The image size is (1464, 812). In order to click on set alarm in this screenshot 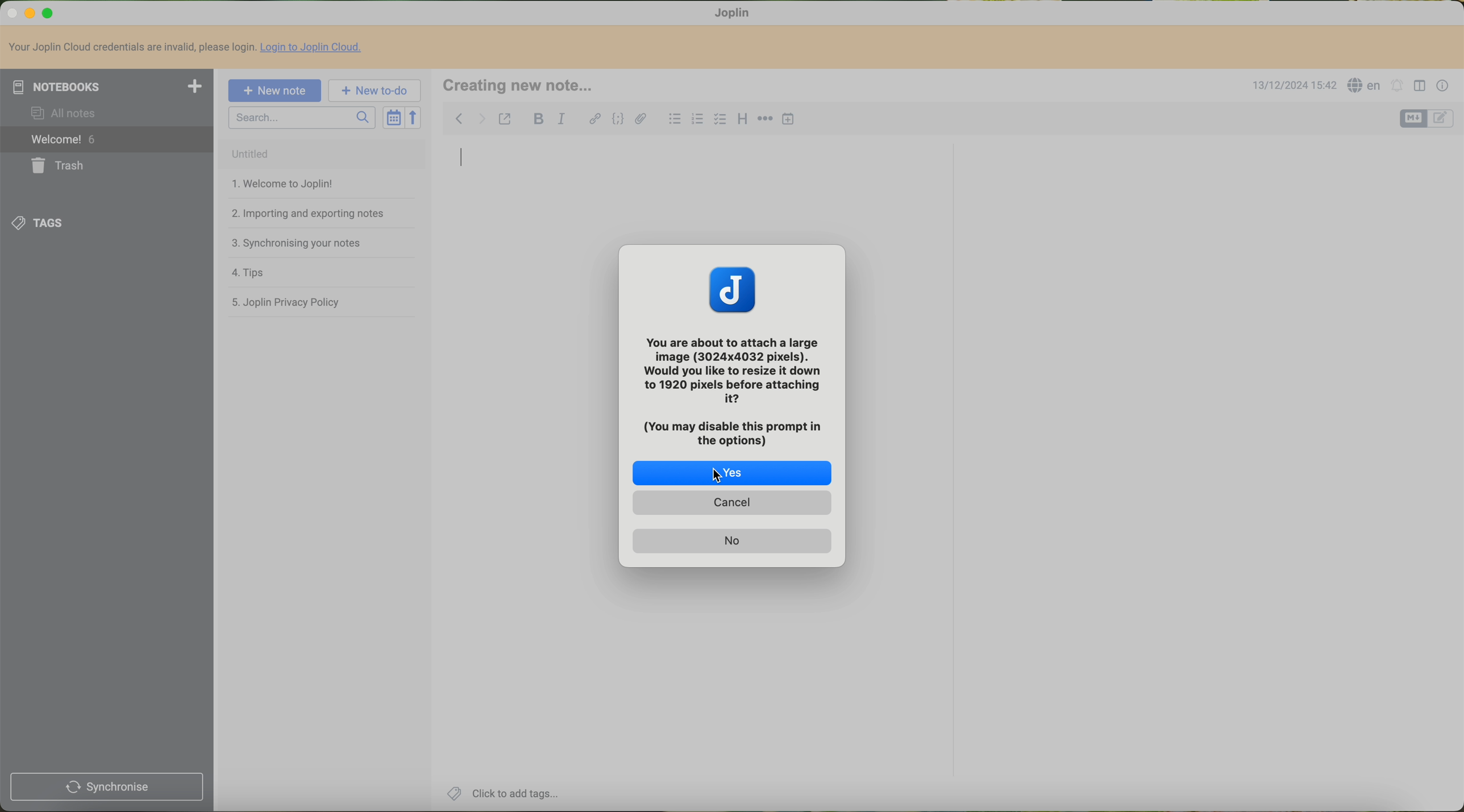, I will do `click(1397, 86)`.